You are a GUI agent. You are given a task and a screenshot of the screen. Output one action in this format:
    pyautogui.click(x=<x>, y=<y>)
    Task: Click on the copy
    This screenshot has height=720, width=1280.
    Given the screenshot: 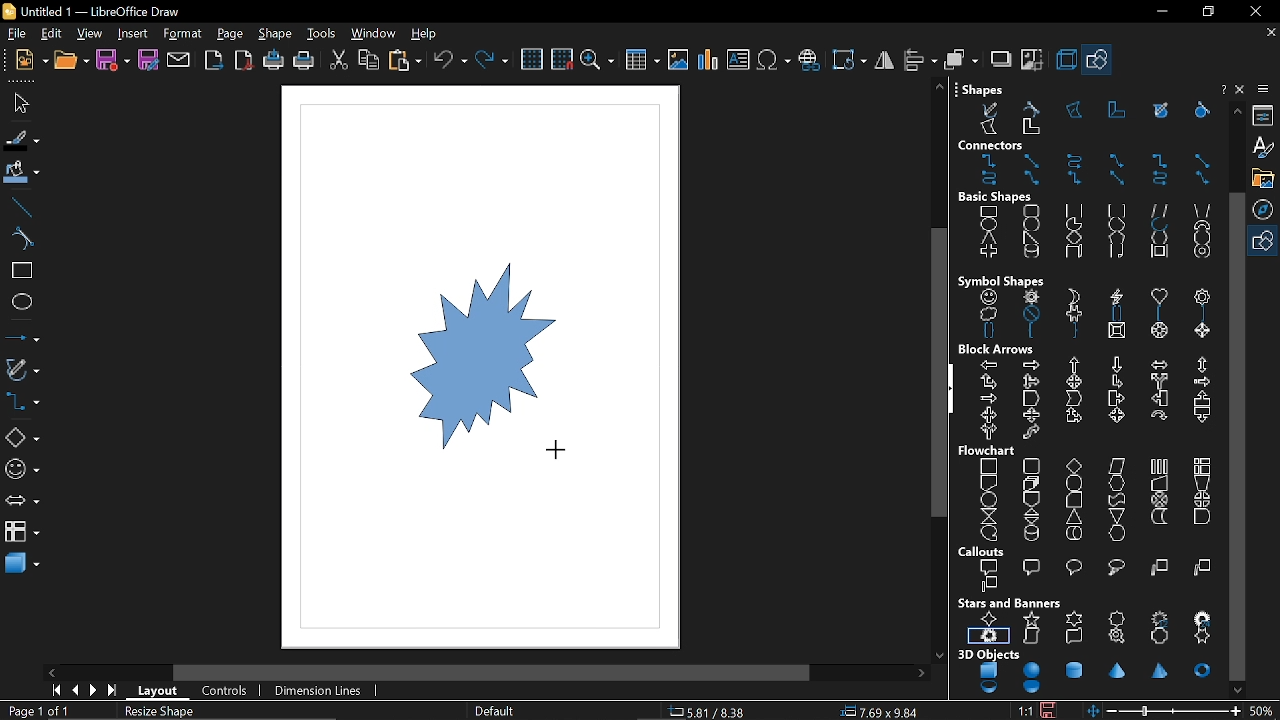 What is the action you would take?
    pyautogui.click(x=368, y=60)
    